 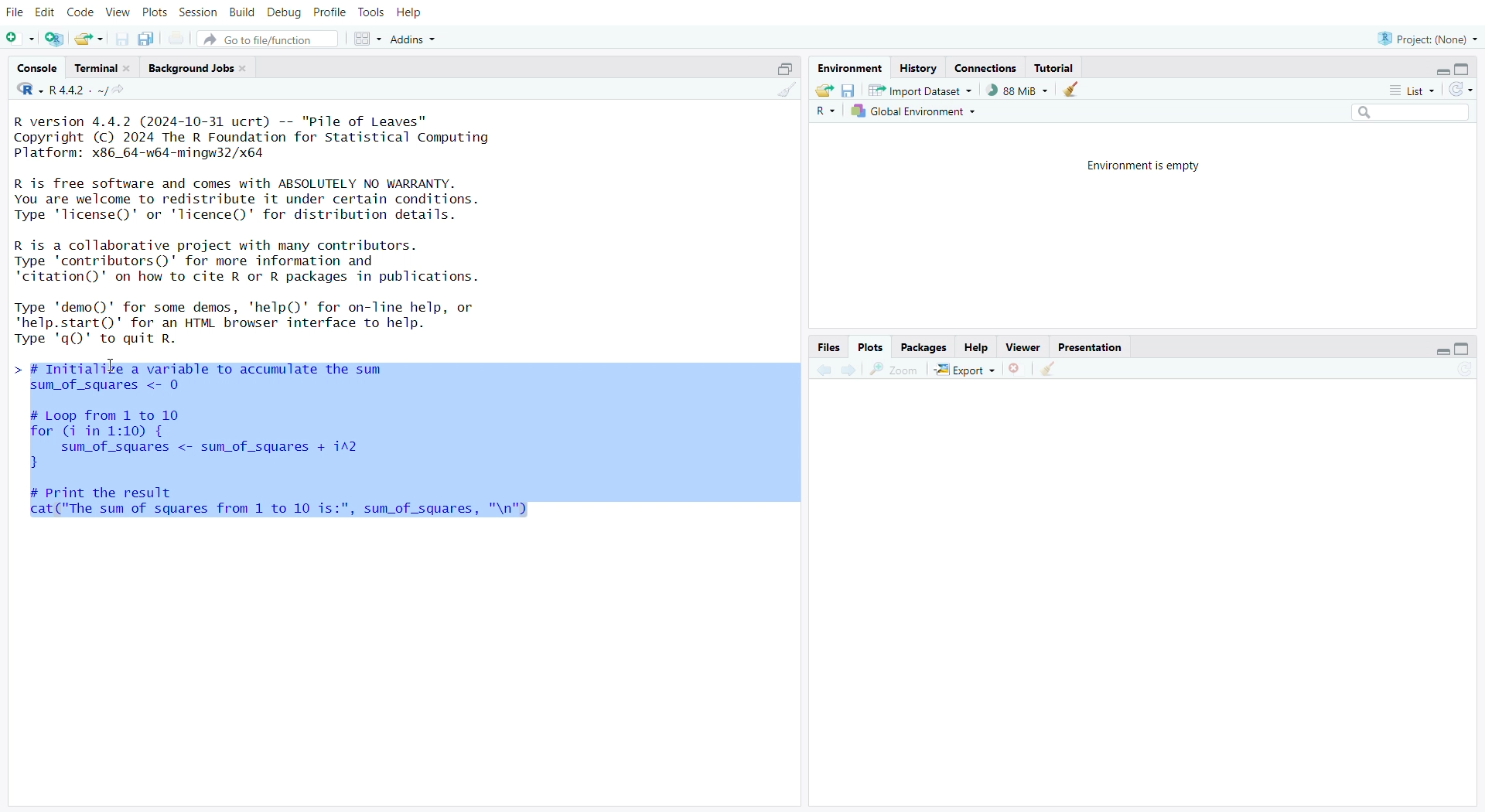 What do you see at coordinates (118, 387) in the screenshot?
I see `sum_of_squares <- 0` at bounding box center [118, 387].